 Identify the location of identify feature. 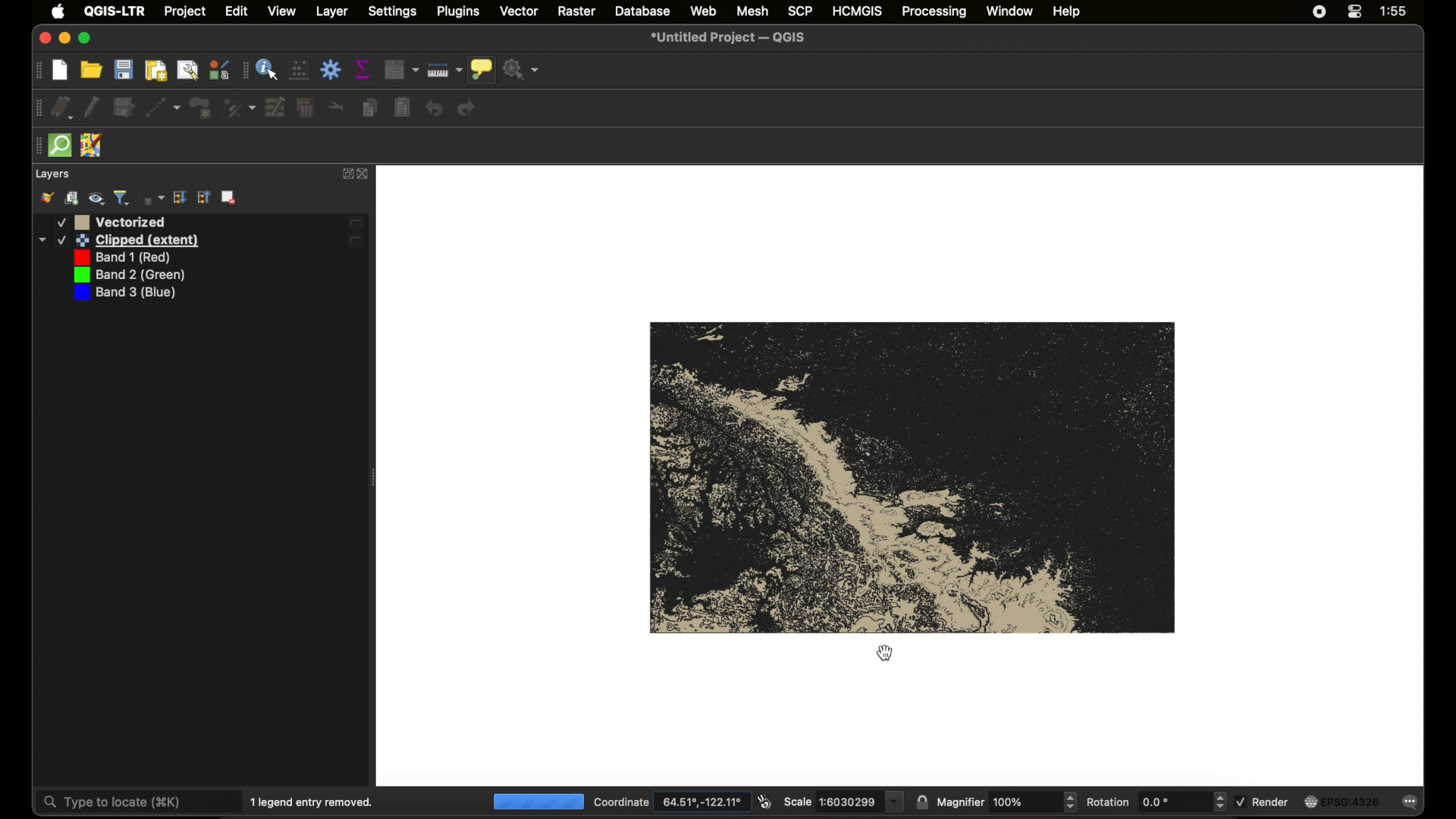
(268, 69).